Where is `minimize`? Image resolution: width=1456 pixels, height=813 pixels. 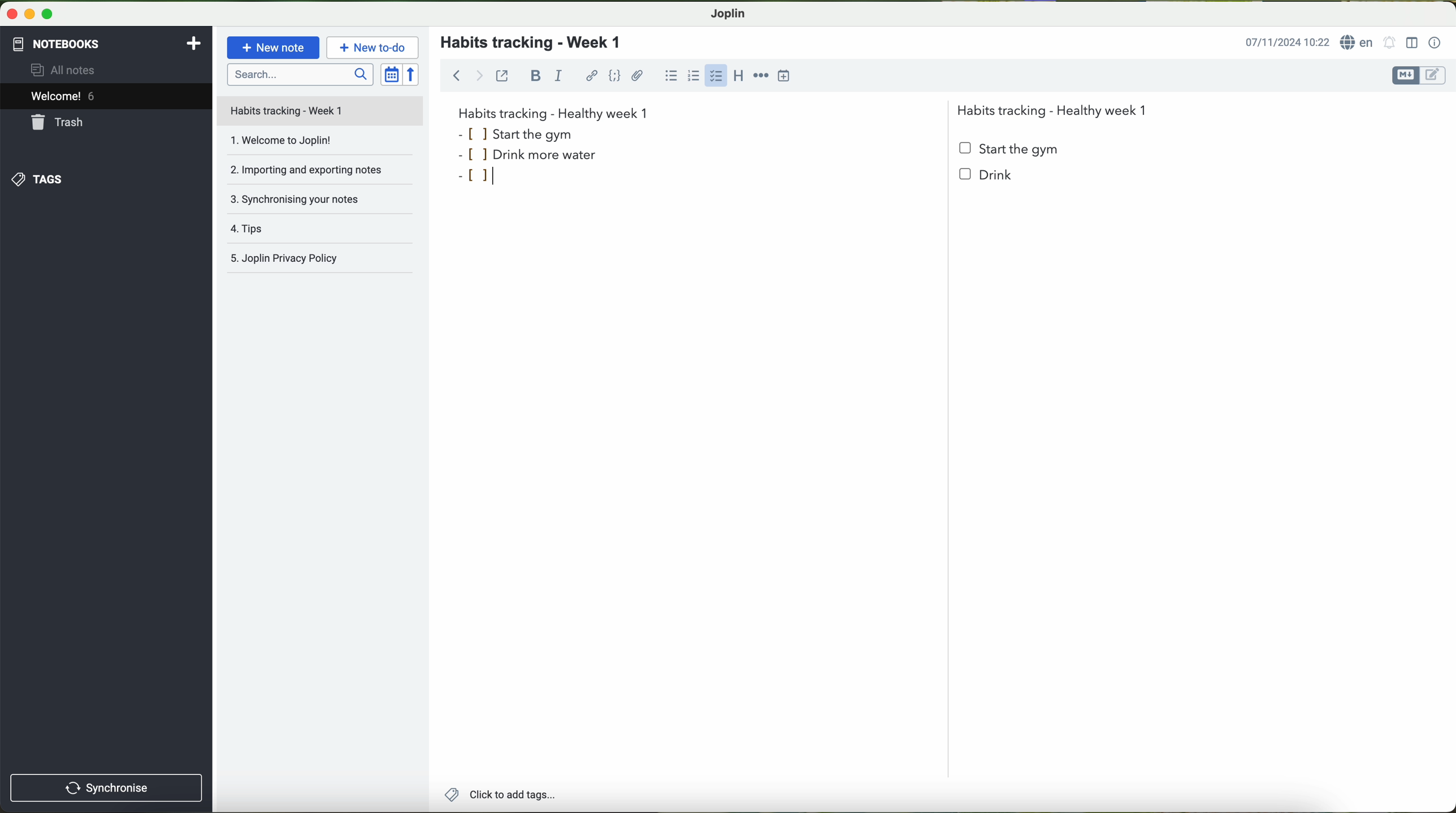 minimize is located at coordinates (27, 13).